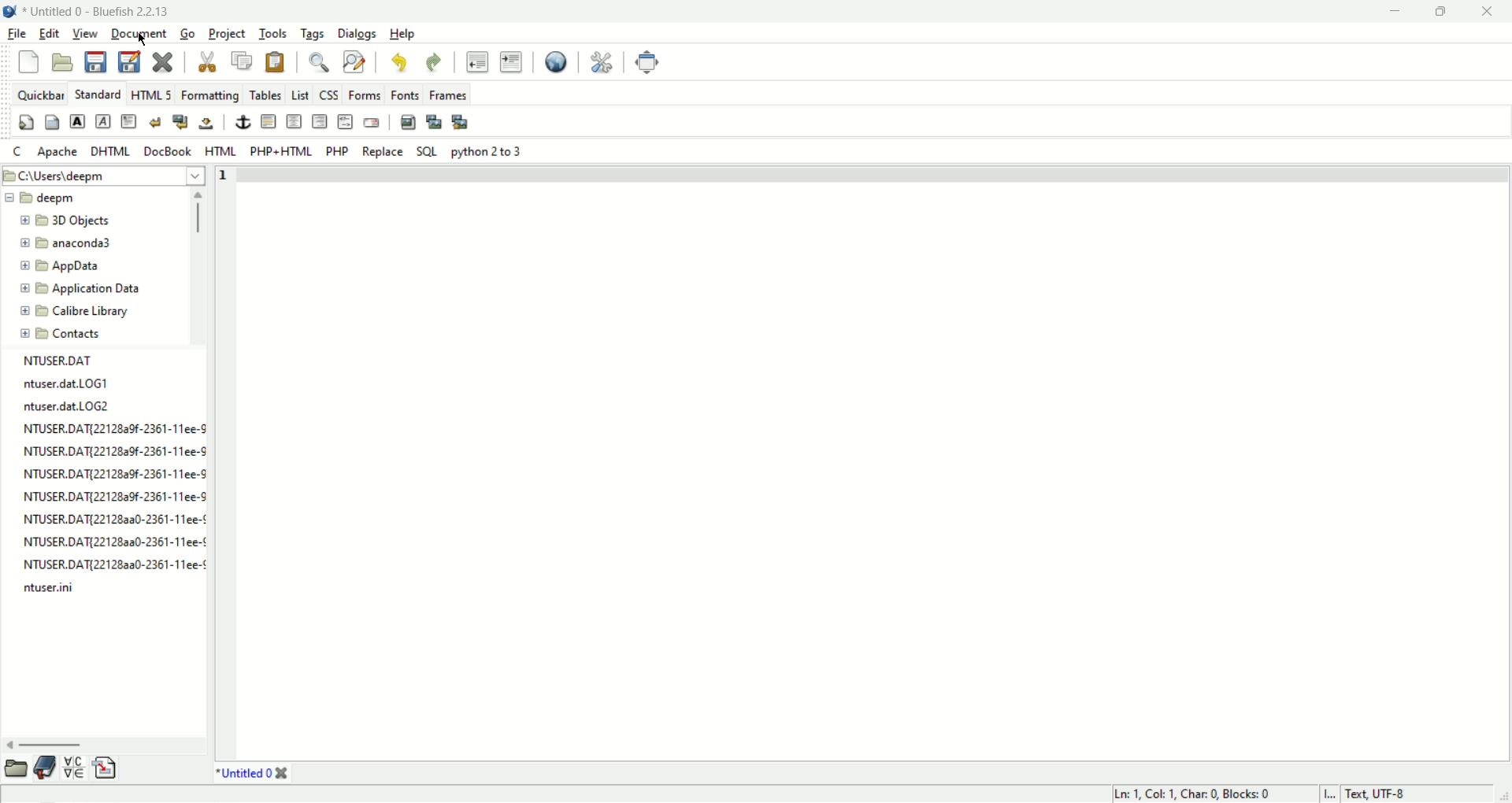 The height and width of the screenshot is (803, 1512). I want to click on redo, so click(432, 63).